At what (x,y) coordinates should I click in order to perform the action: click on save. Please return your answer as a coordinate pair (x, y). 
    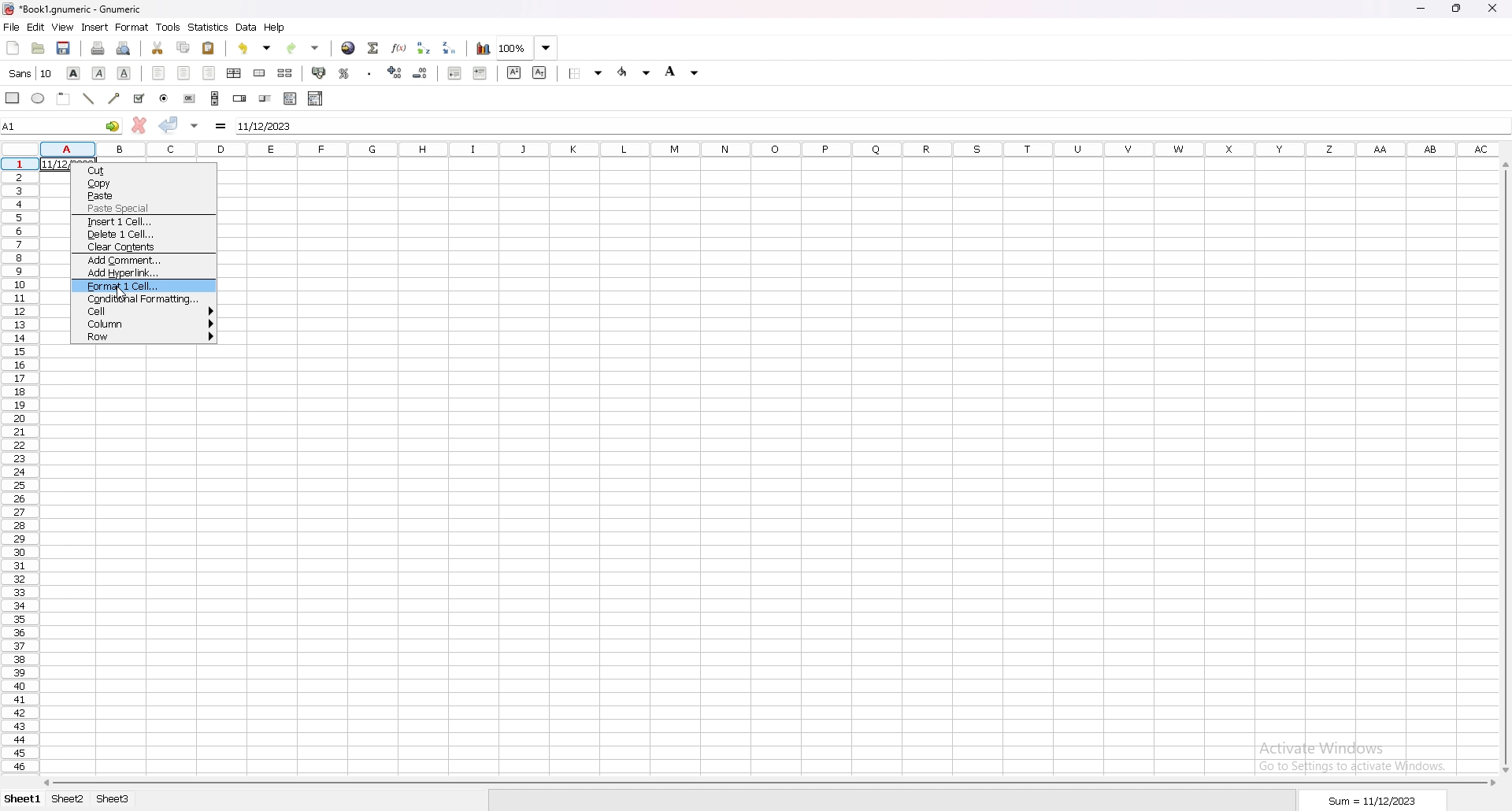
    Looking at the image, I should click on (63, 48).